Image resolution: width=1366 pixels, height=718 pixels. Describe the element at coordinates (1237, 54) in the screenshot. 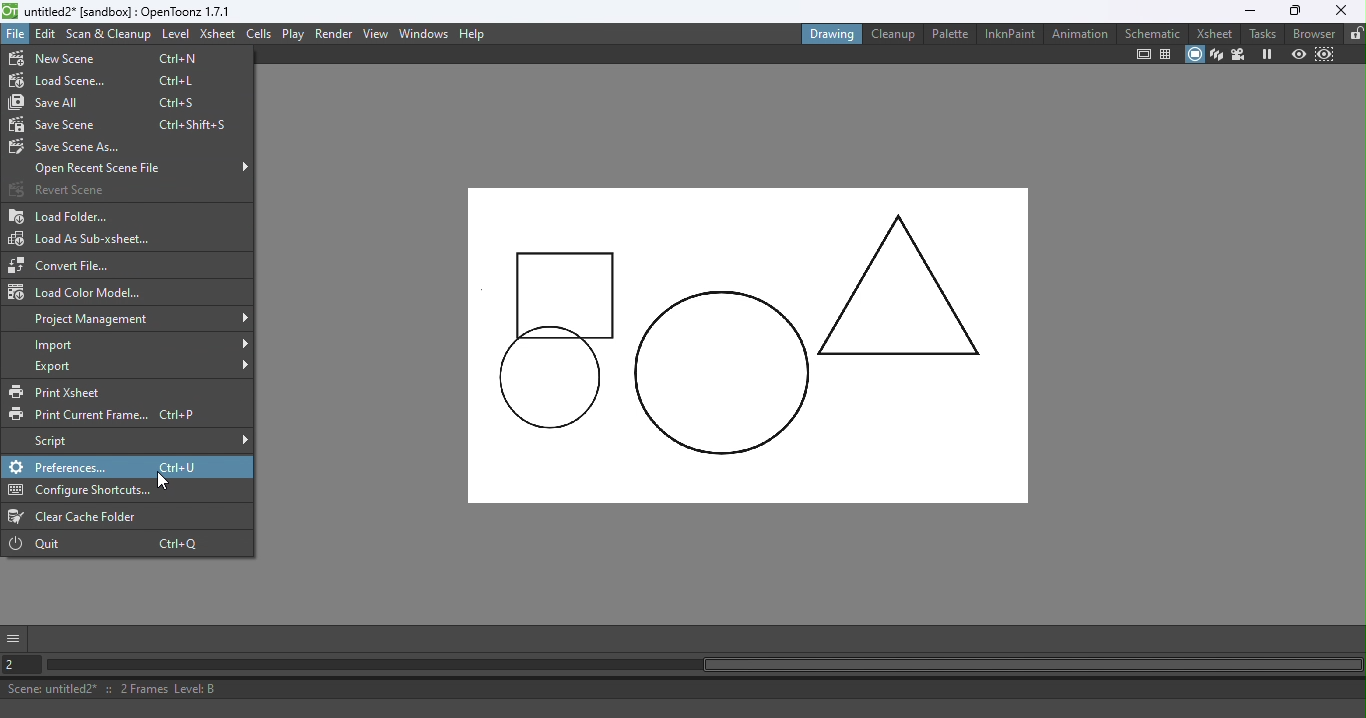

I see `Camera view` at that location.